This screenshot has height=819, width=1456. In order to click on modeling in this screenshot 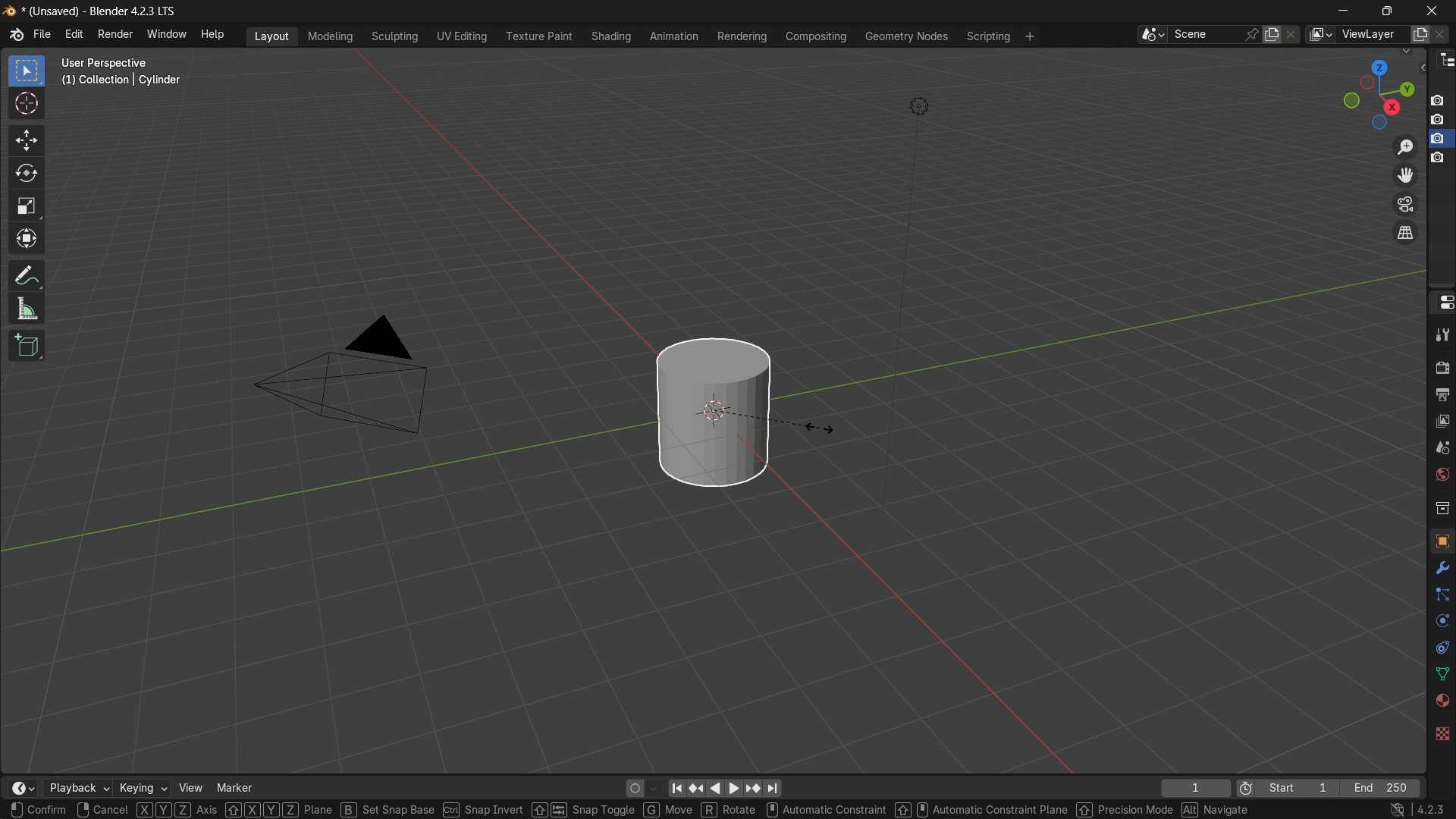, I will do `click(329, 36)`.